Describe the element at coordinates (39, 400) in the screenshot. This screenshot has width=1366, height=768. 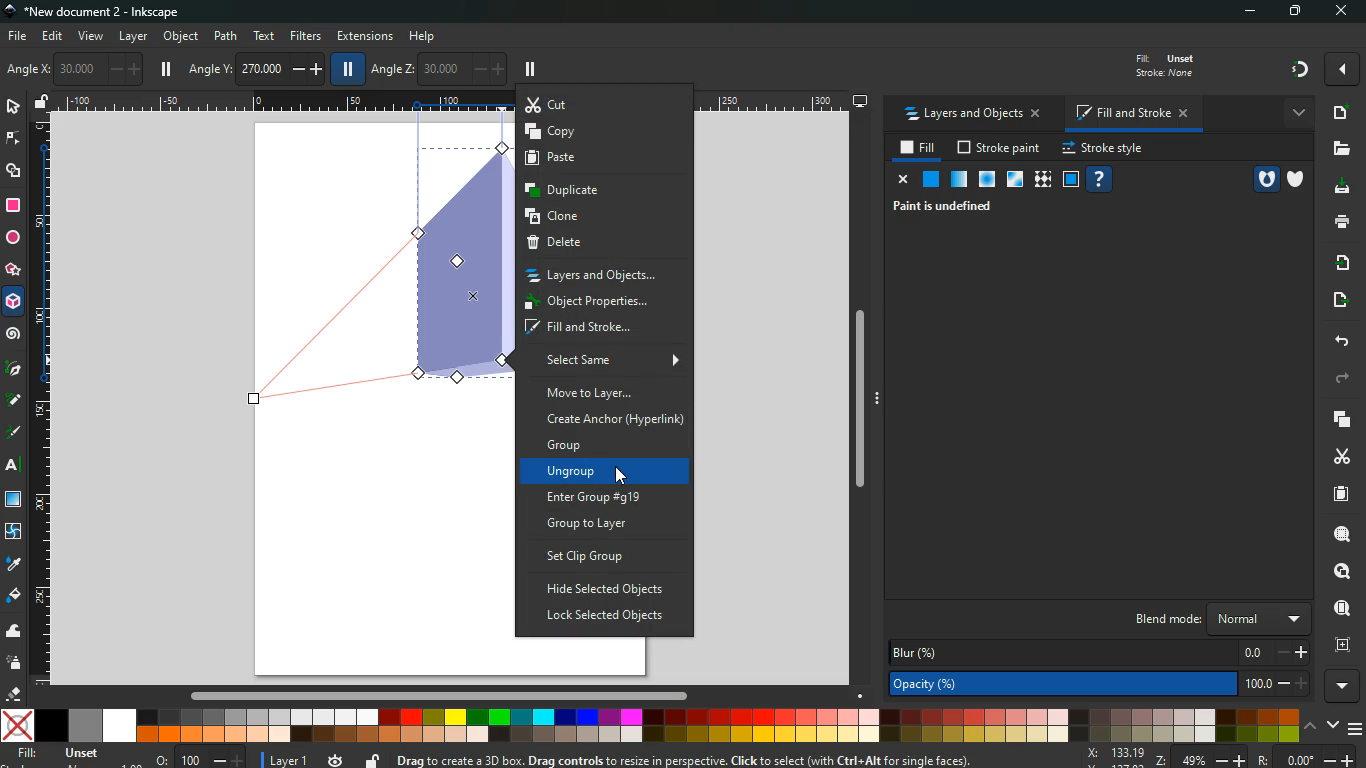
I see `Ruler` at that location.